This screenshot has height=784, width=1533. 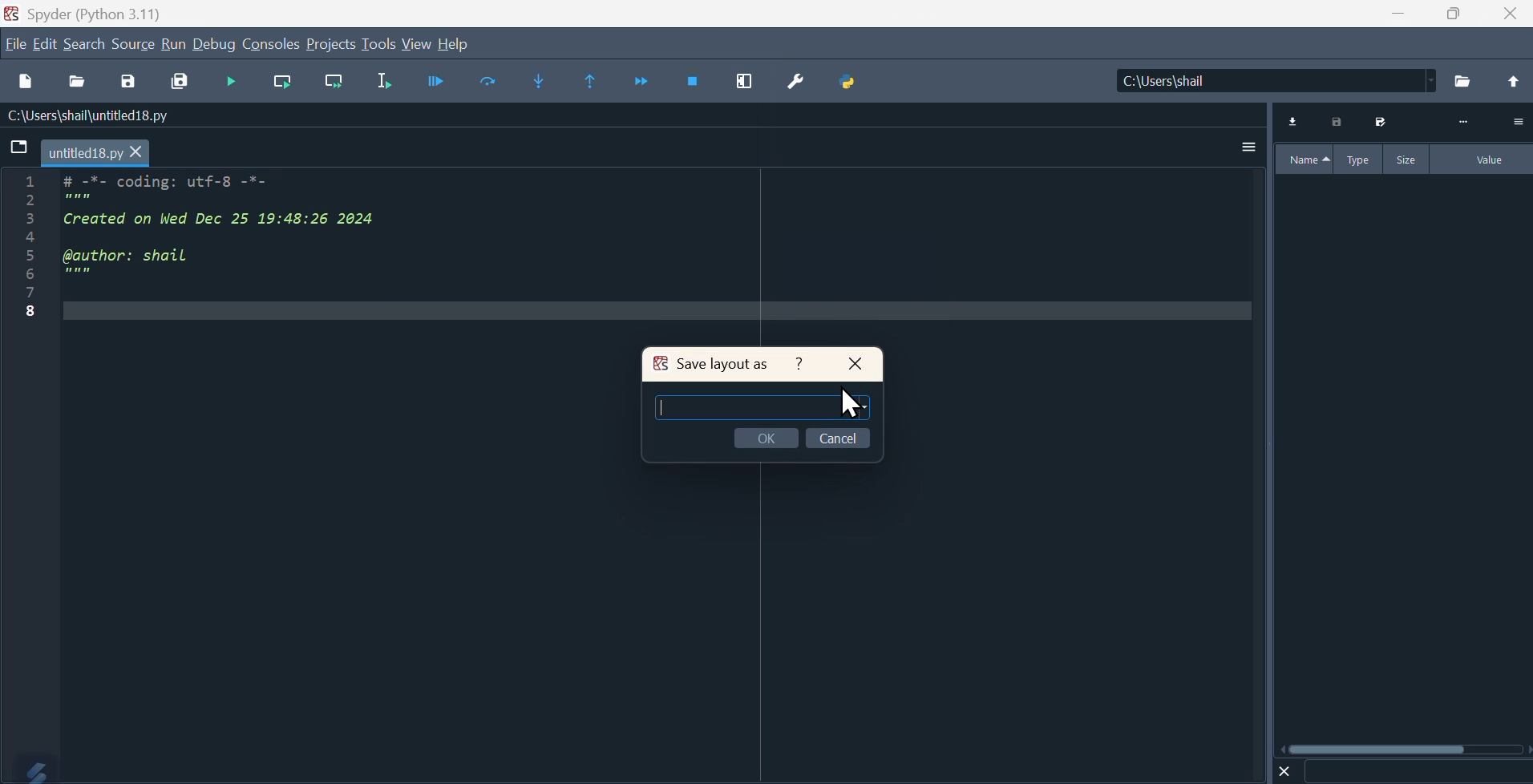 I want to click on Debug, so click(x=215, y=43).